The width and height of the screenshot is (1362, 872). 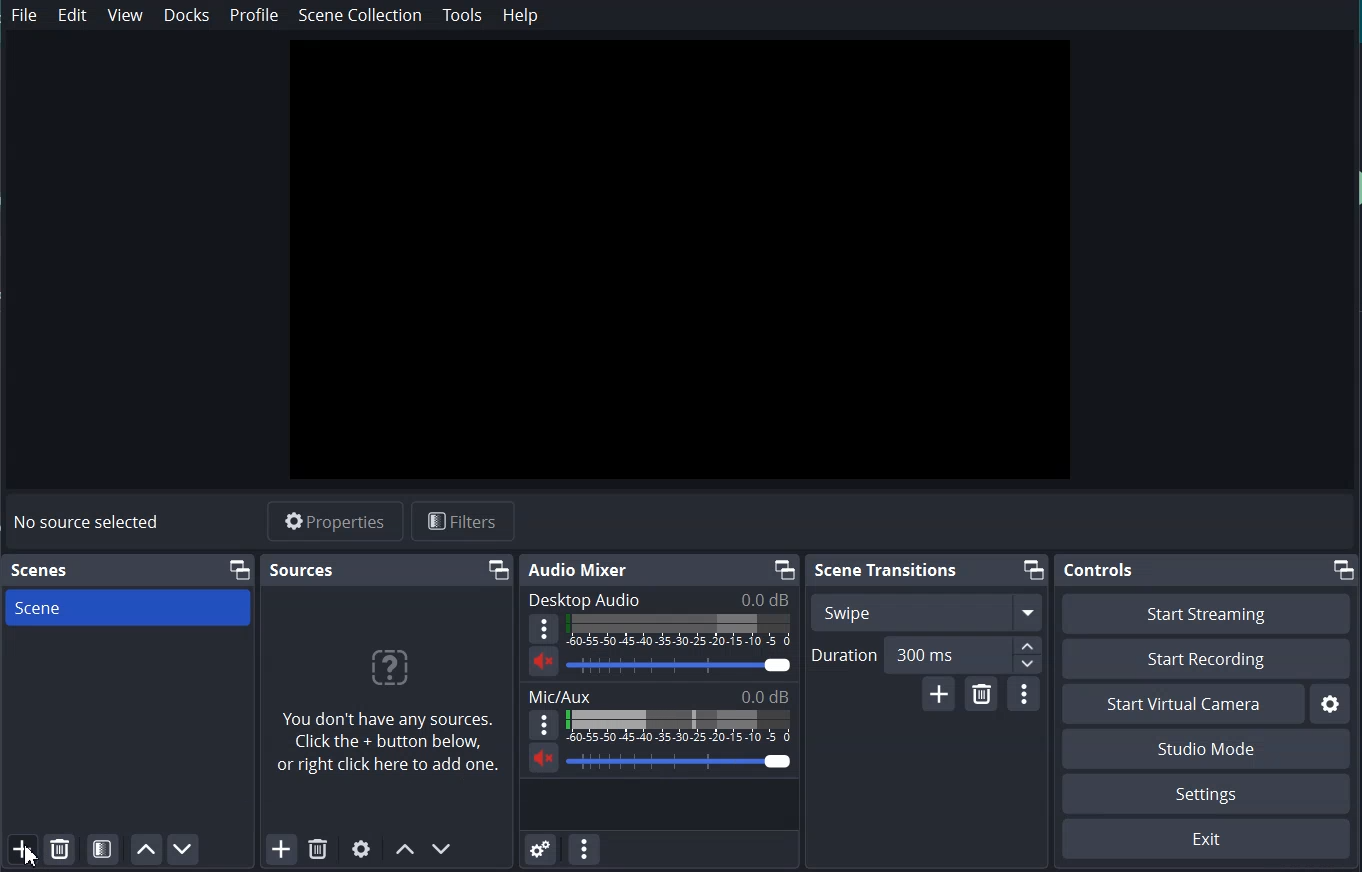 I want to click on Remove Selected Source, so click(x=317, y=850).